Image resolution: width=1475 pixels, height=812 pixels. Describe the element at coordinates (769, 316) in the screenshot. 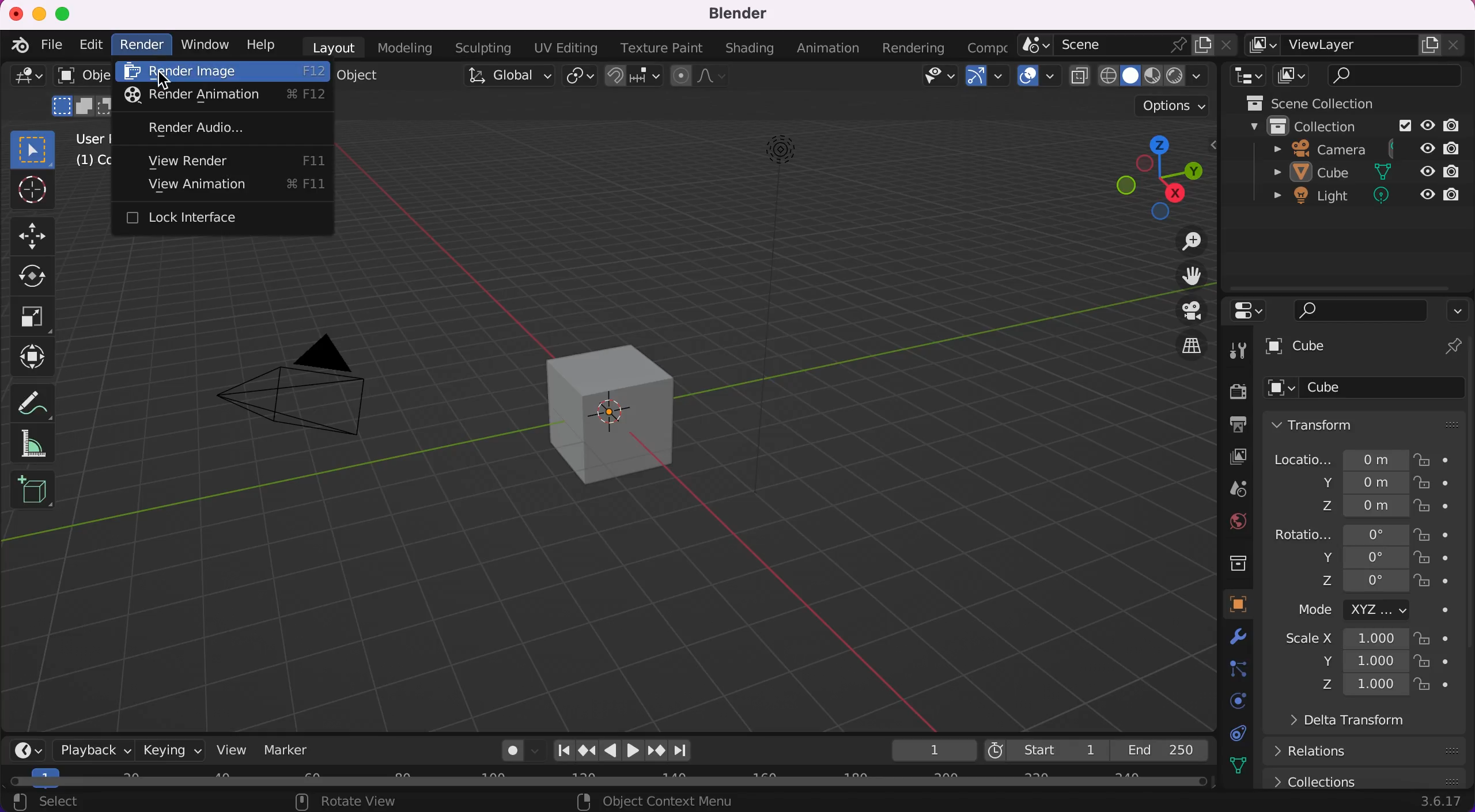

I see `light` at that location.